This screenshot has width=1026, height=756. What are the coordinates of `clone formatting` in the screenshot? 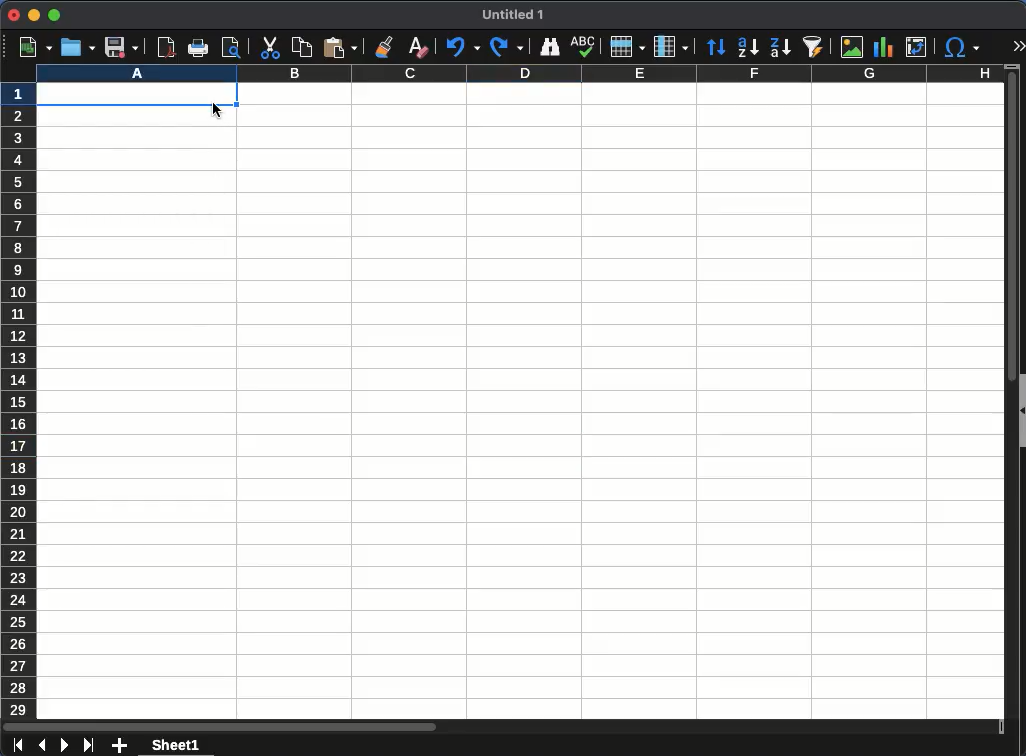 It's located at (386, 48).